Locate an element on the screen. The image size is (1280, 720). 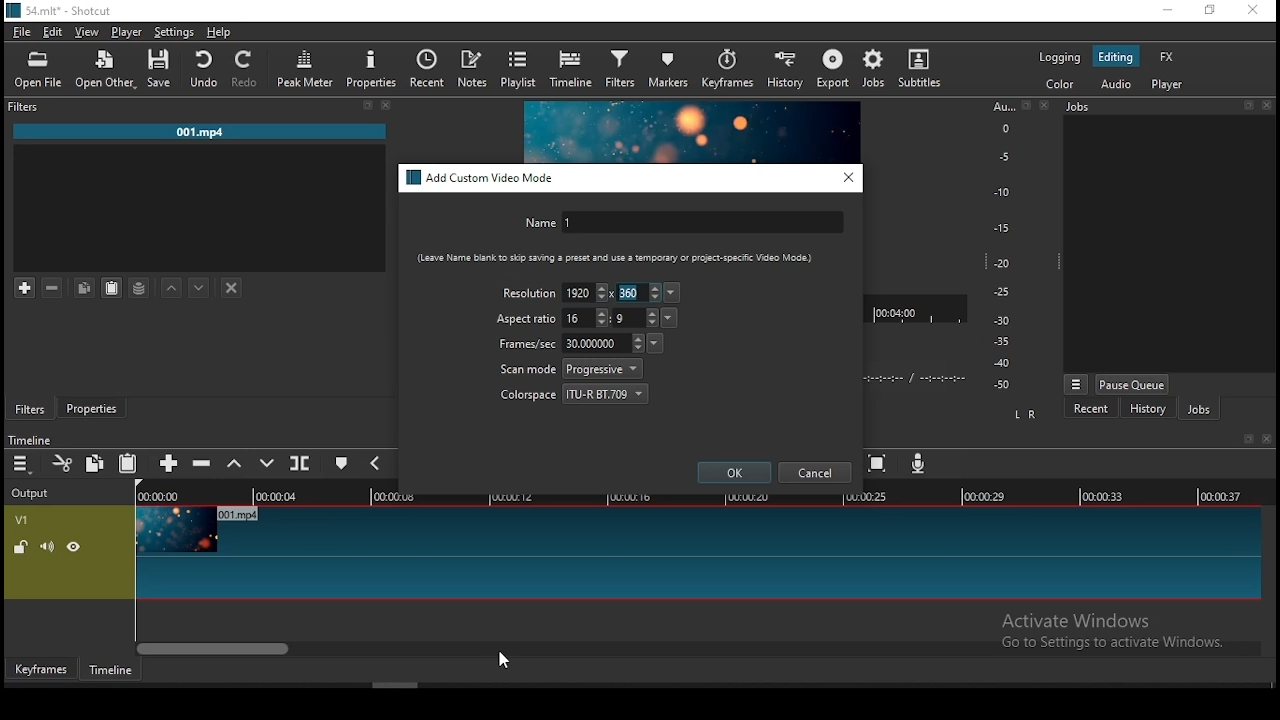
00:00:20 is located at coordinates (746, 495).